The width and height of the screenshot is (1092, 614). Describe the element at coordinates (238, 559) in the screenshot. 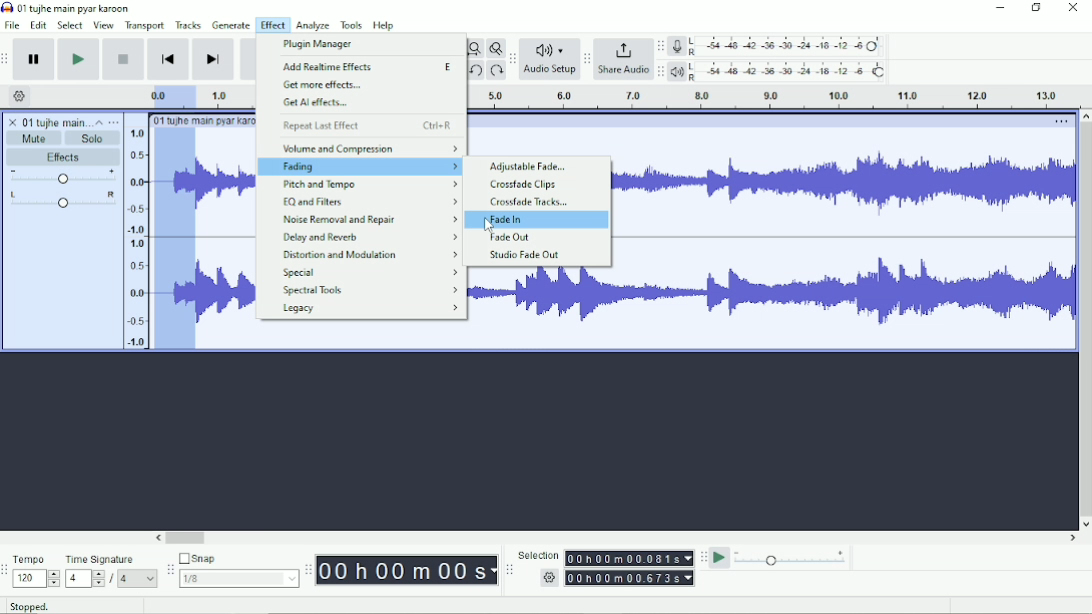

I see `Snap` at that location.